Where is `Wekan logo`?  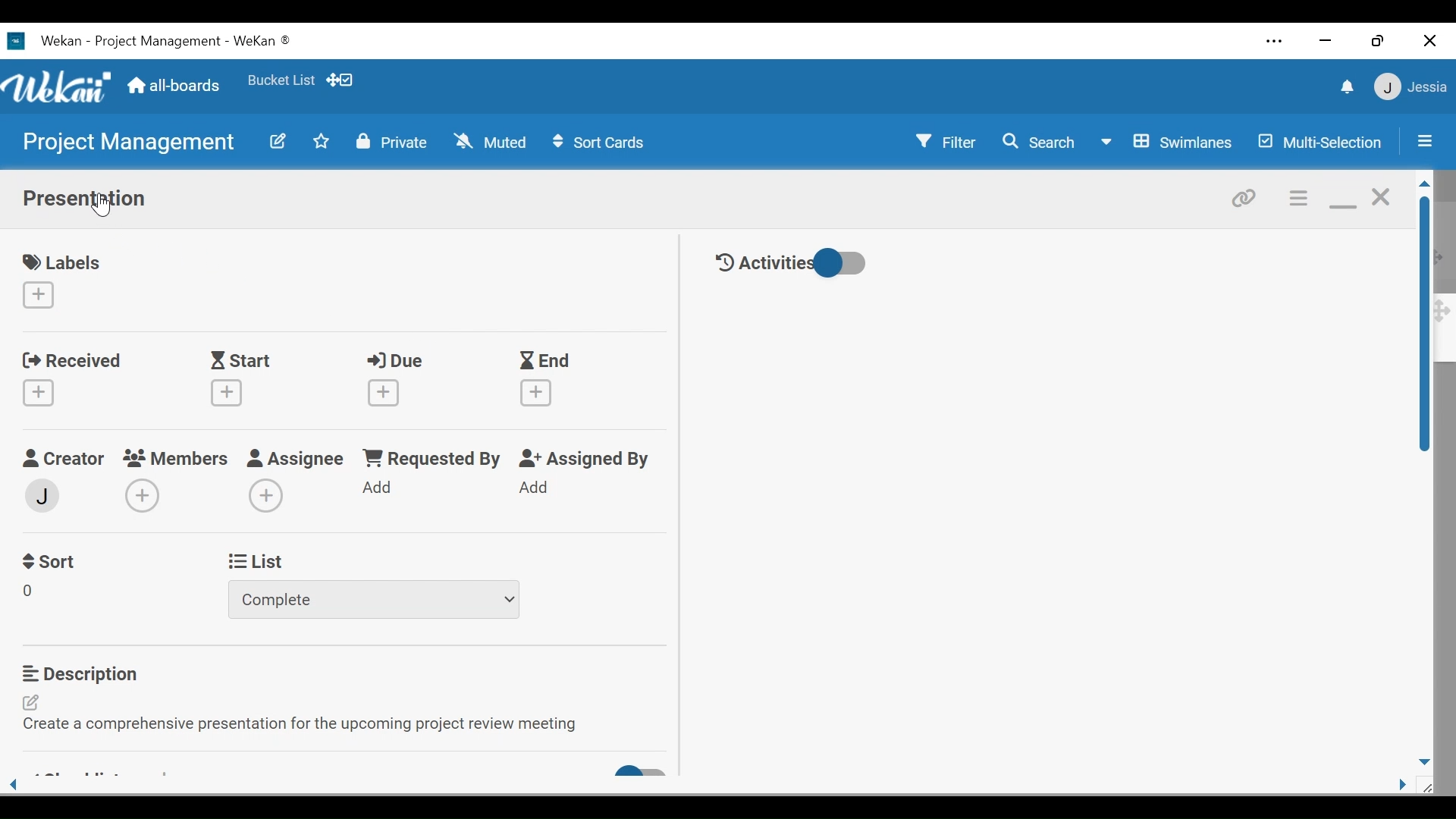
Wekan logo is located at coordinates (58, 86).